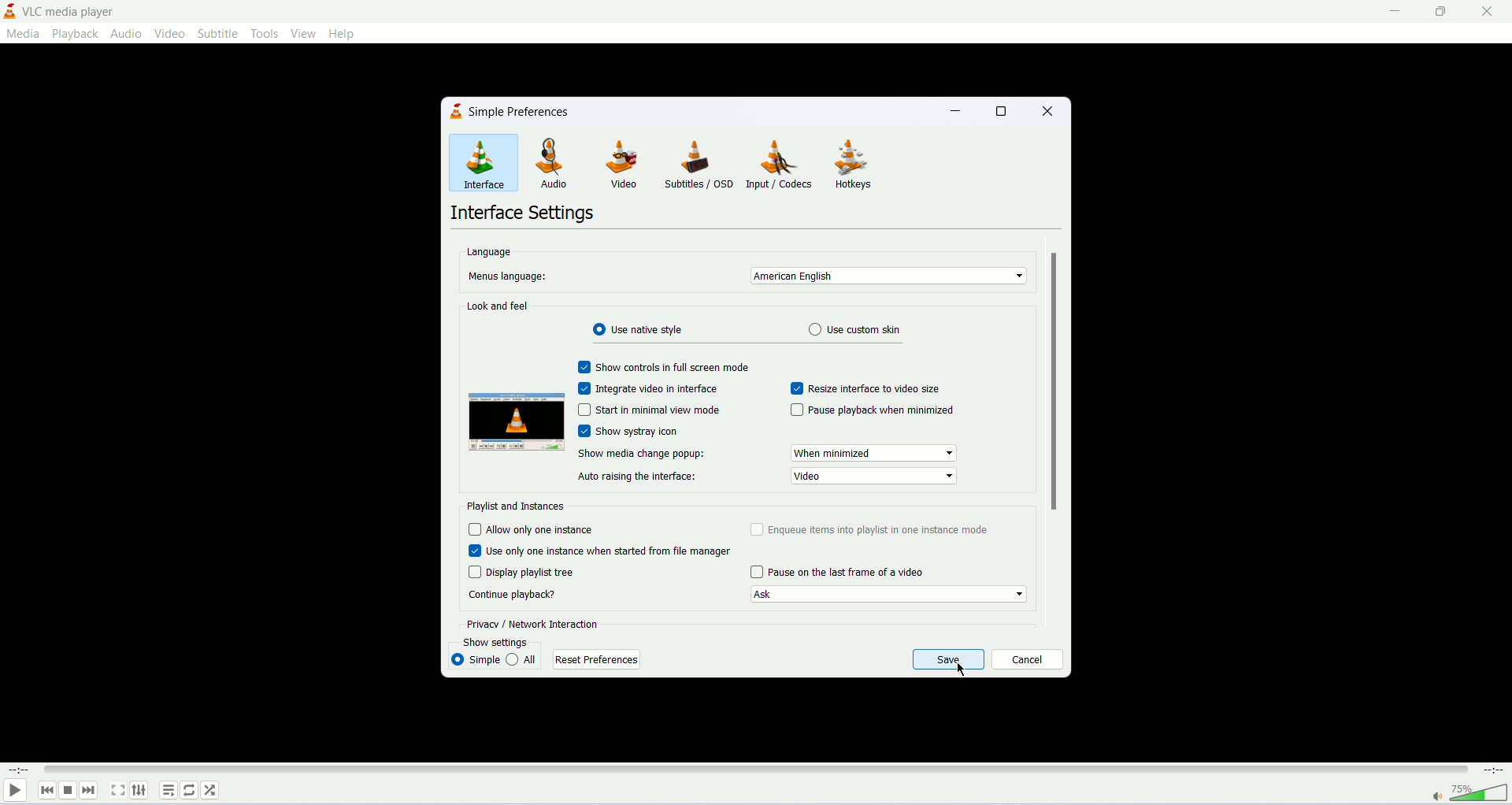 This screenshot has width=1512, height=805. I want to click on language, so click(488, 250).